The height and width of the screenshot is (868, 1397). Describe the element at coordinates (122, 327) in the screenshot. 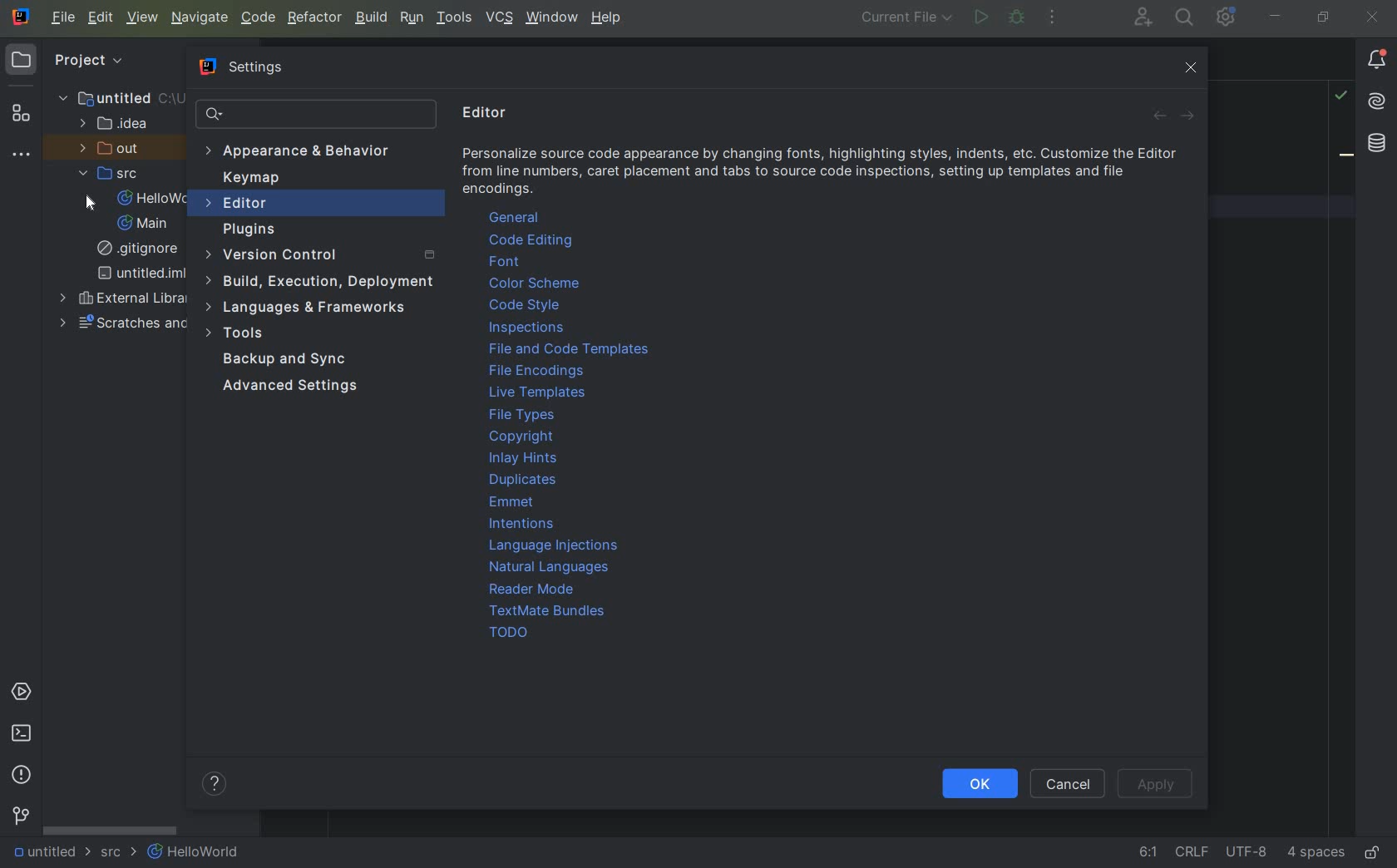

I see `Scratches and` at that location.